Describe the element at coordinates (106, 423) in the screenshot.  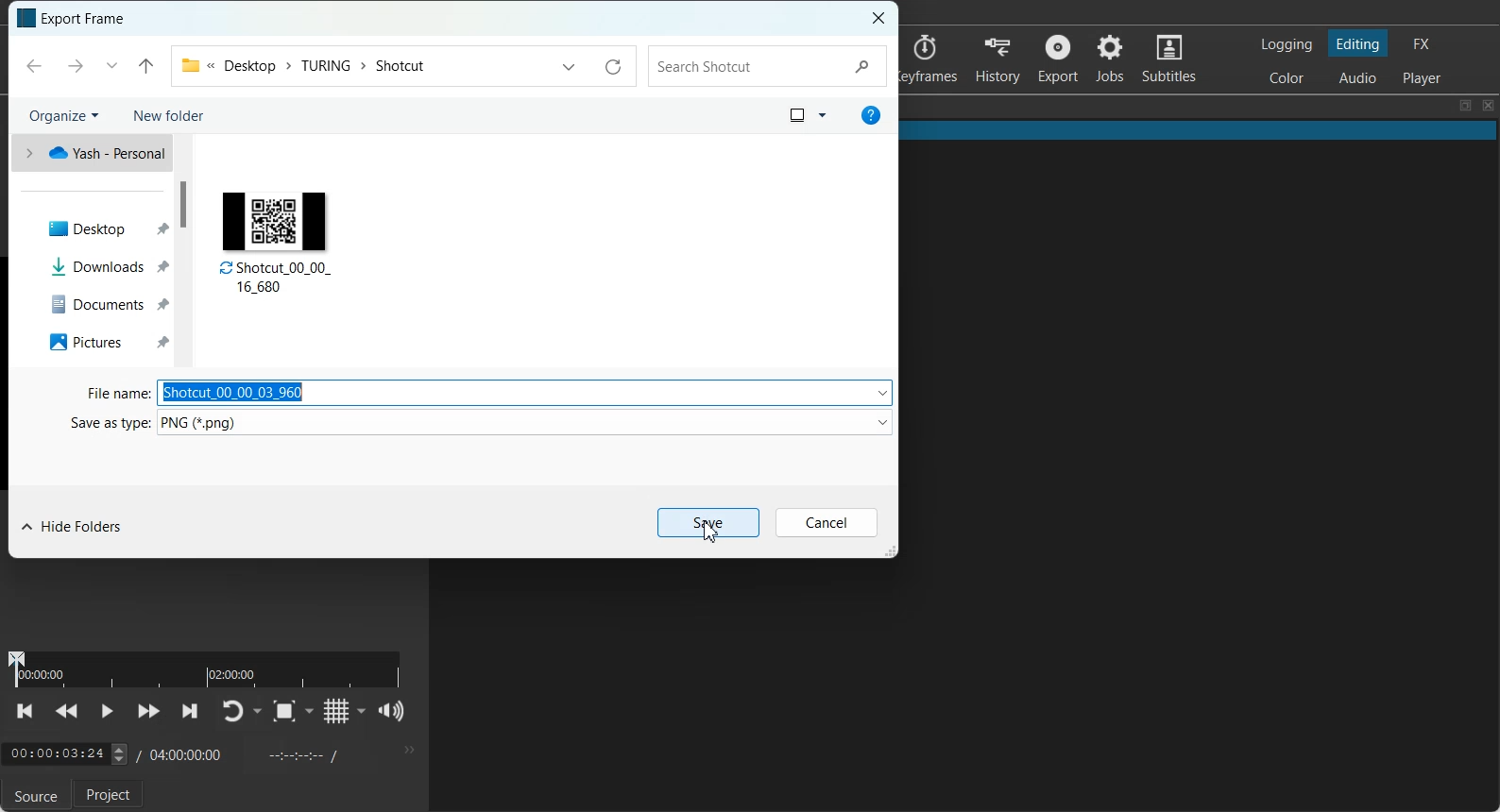
I see `save as type:` at that location.